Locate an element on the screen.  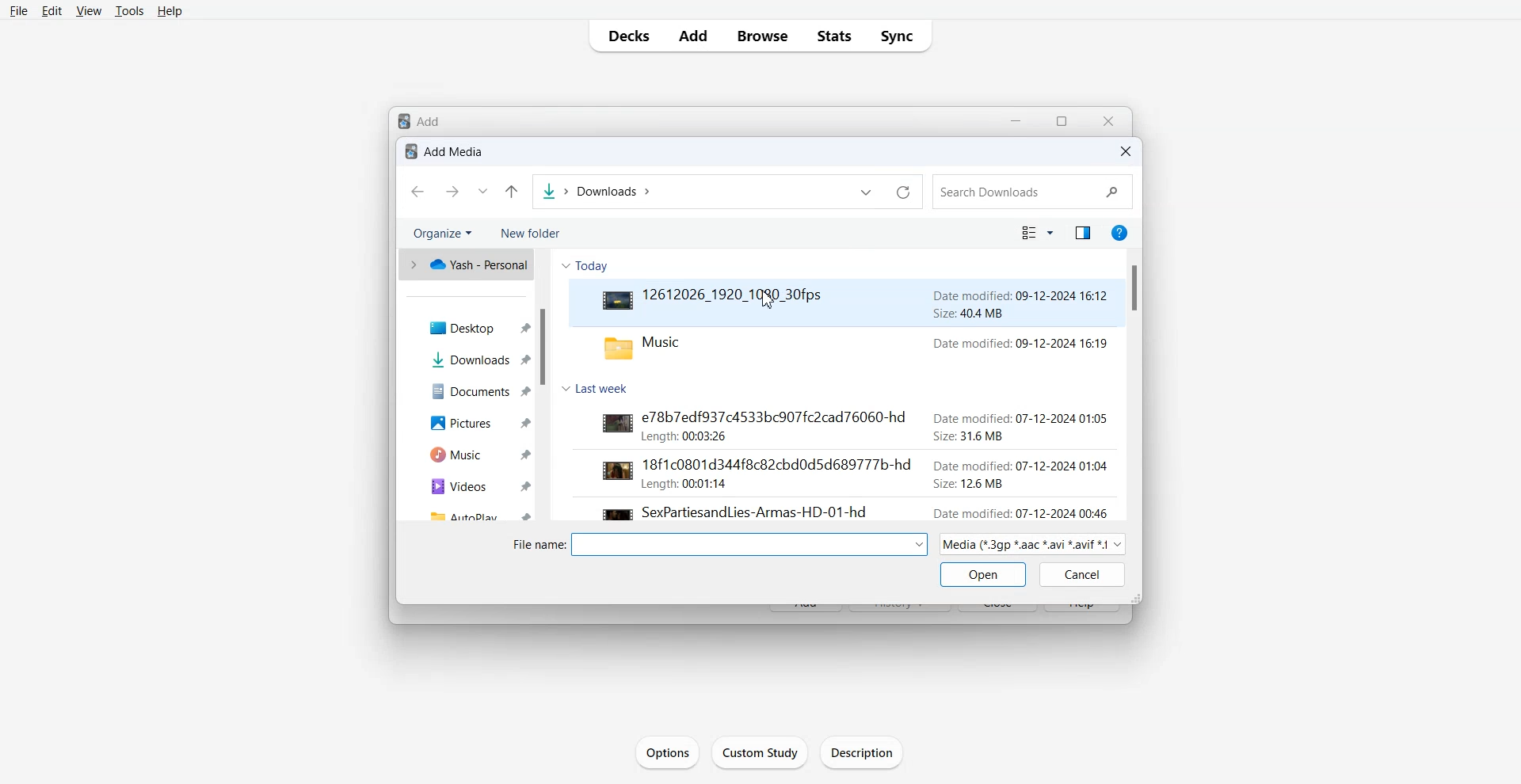
video file is located at coordinates (745, 426).